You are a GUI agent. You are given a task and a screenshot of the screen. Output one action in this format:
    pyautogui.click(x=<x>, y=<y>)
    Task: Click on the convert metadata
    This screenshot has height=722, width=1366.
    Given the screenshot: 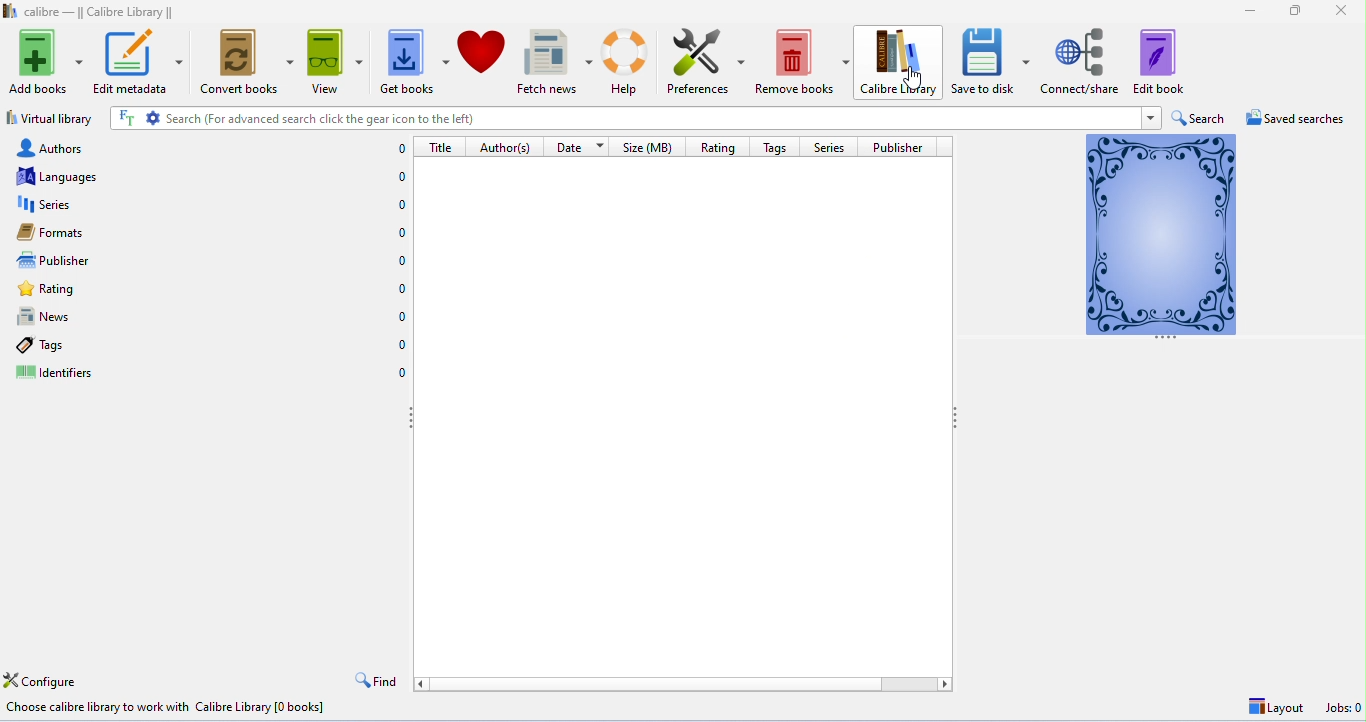 What is the action you would take?
    pyautogui.click(x=247, y=63)
    